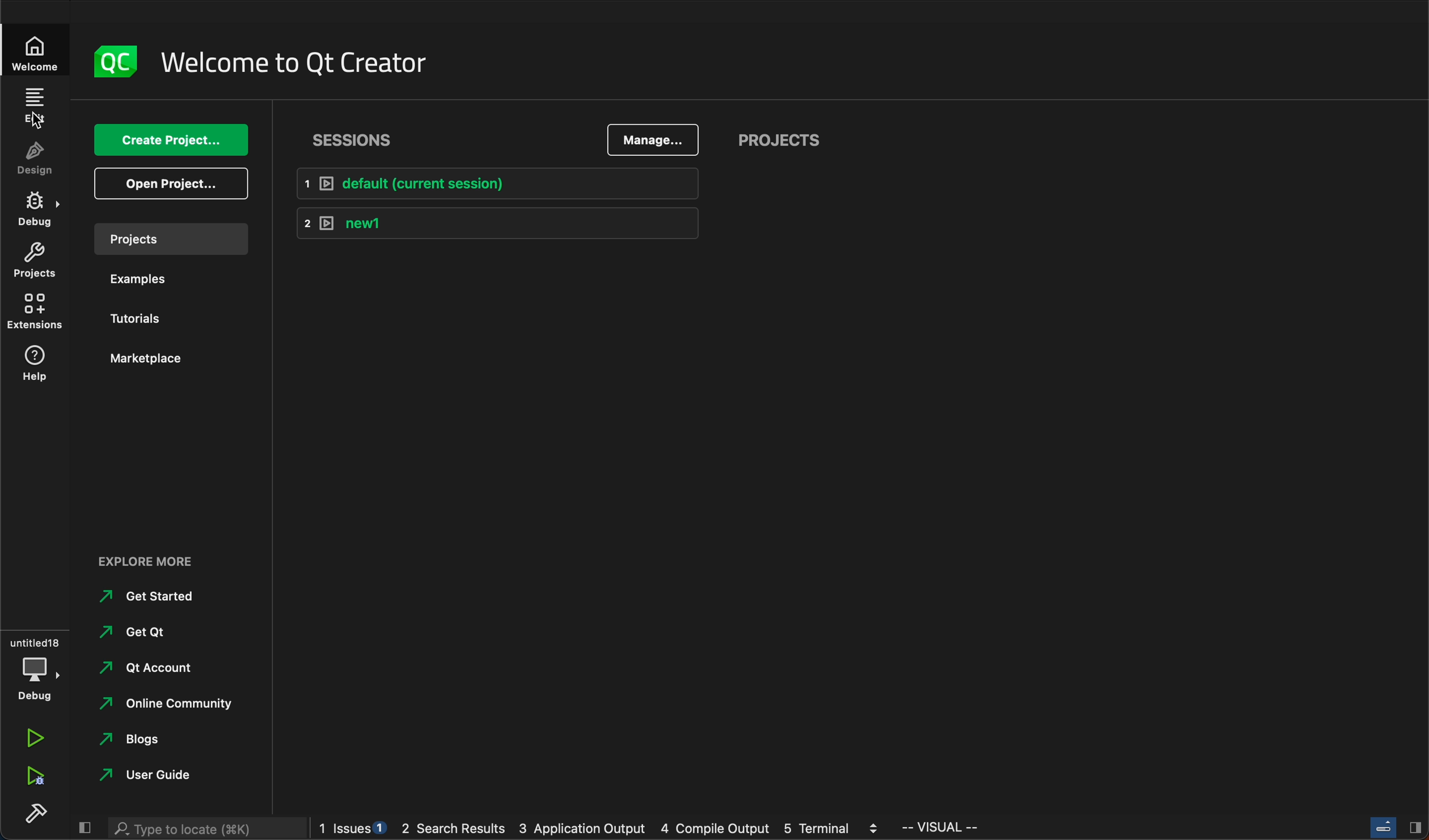 This screenshot has height=840, width=1429. Describe the element at coordinates (112, 58) in the screenshot. I see `logo` at that location.